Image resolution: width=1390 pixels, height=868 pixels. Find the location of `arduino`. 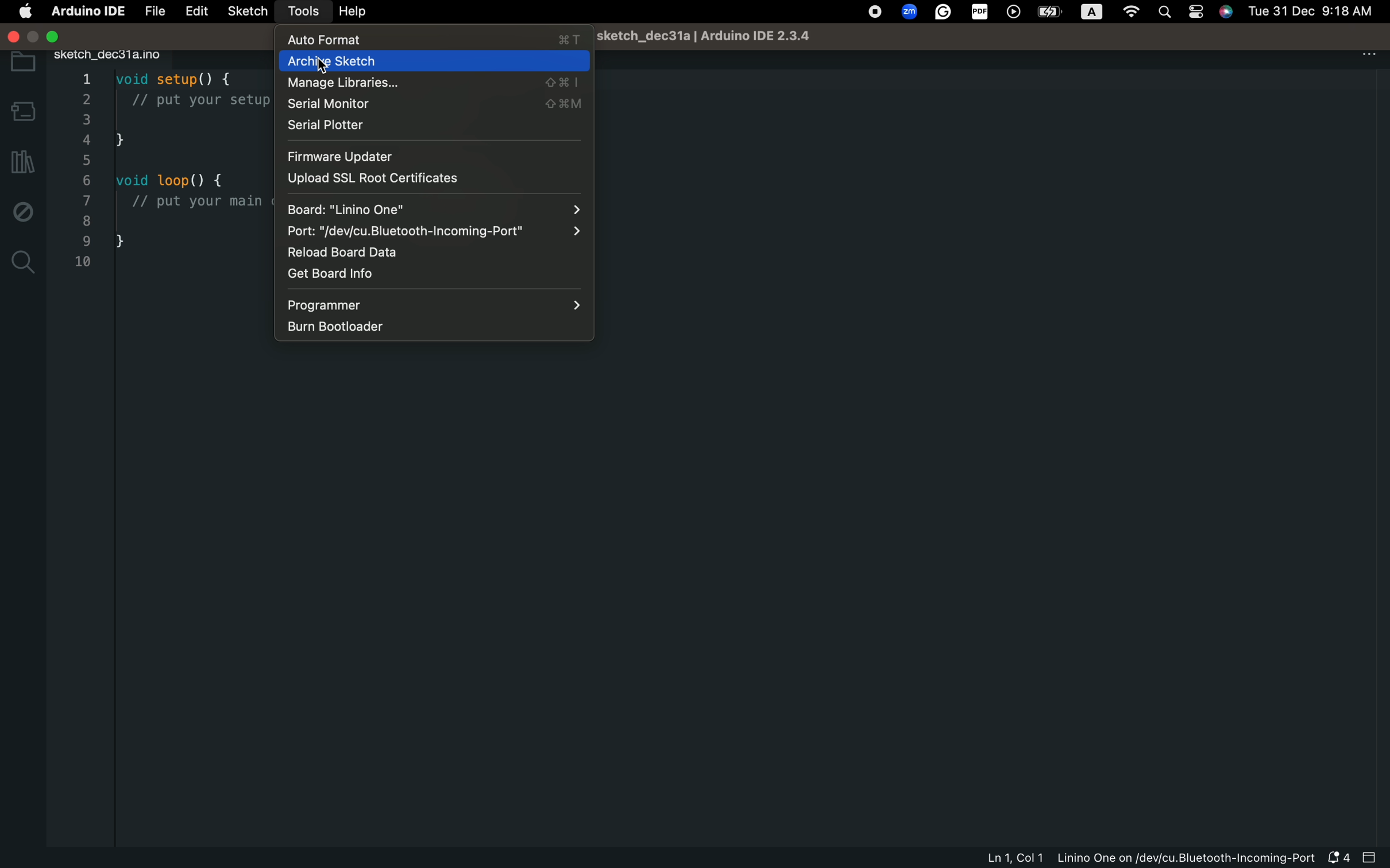

arduino is located at coordinates (86, 12).